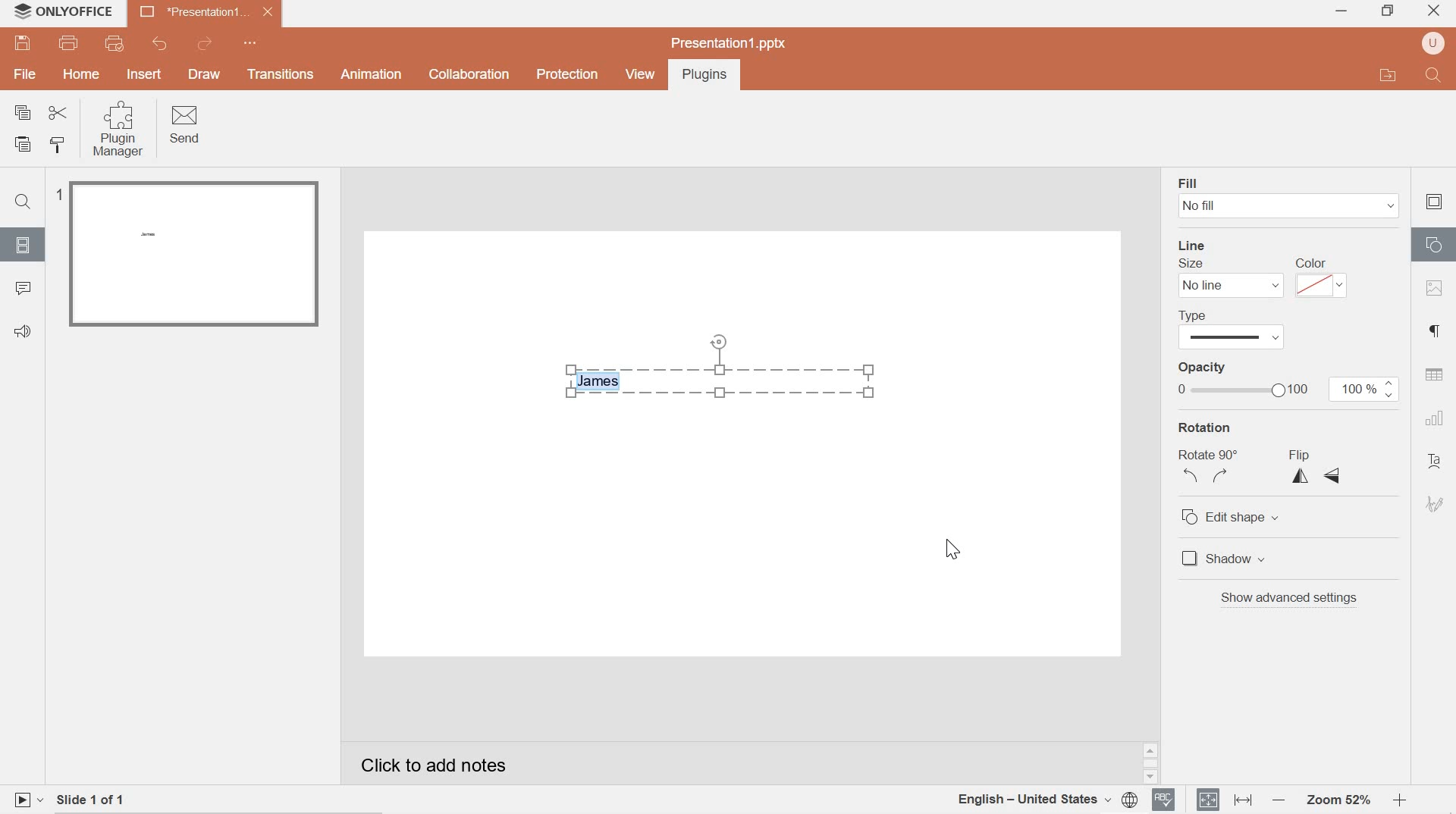 The width and height of the screenshot is (1456, 814). What do you see at coordinates (701, 76) in the screenshot?
I see `Plugins` at bounding box center [701, 76].